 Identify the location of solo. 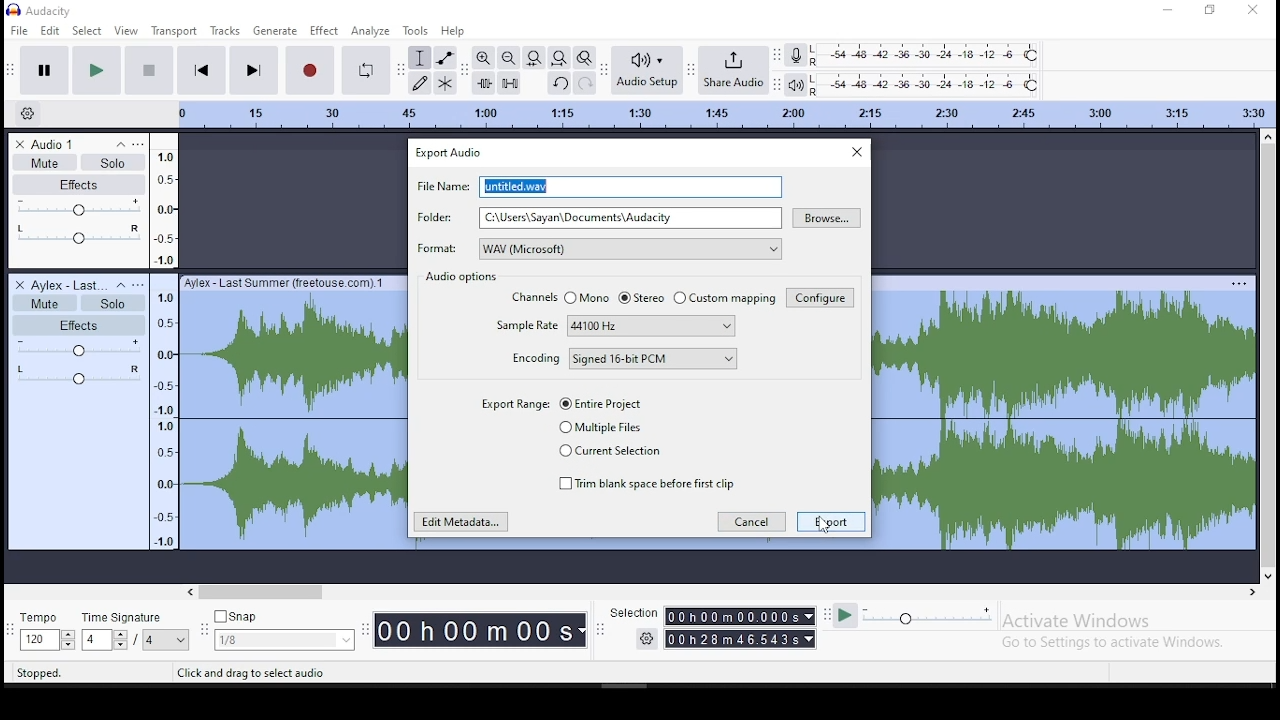
(116, 163).